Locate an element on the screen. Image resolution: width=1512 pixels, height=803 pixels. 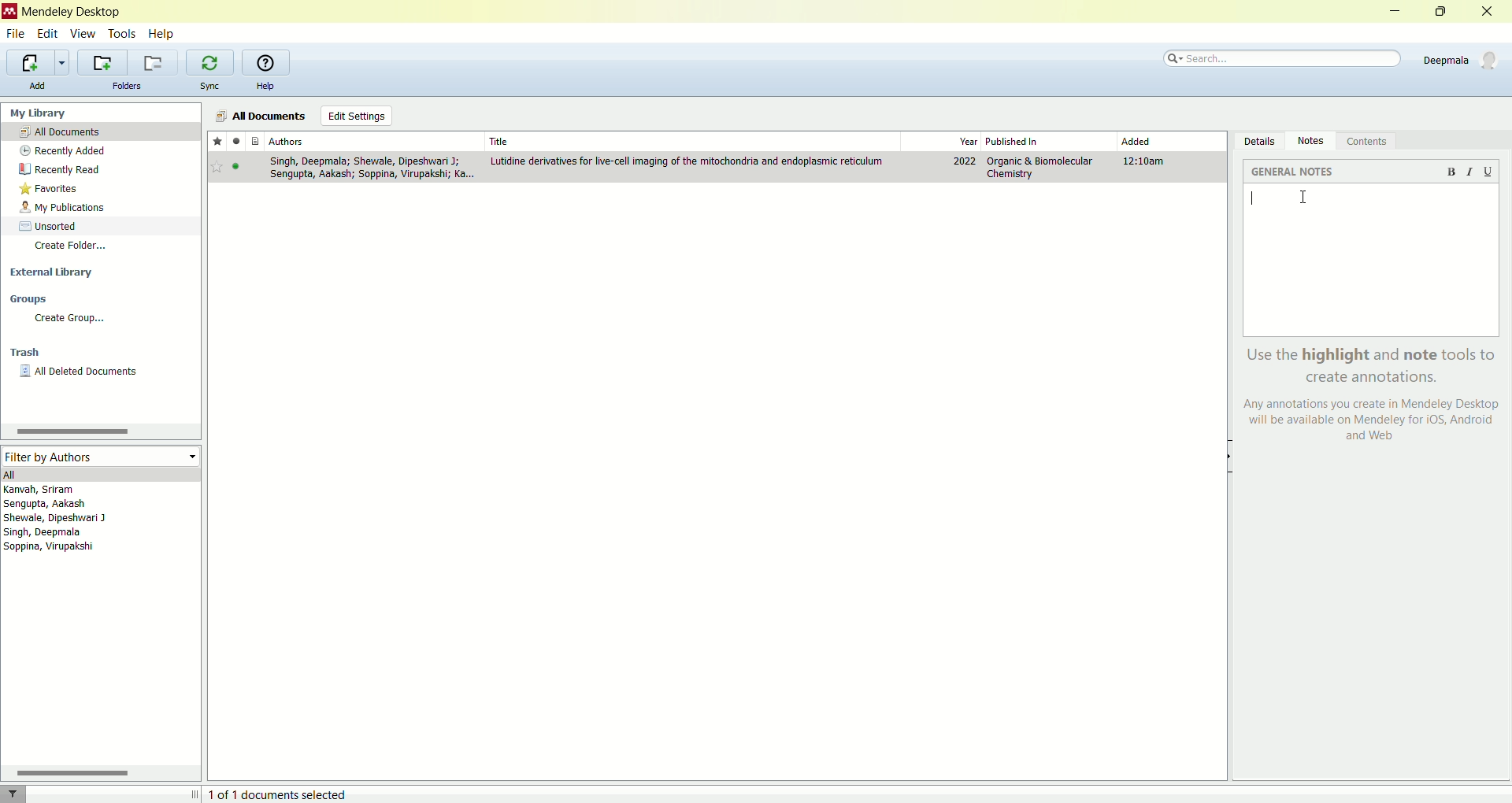
read/unread status is located at coordinates (236, 142).